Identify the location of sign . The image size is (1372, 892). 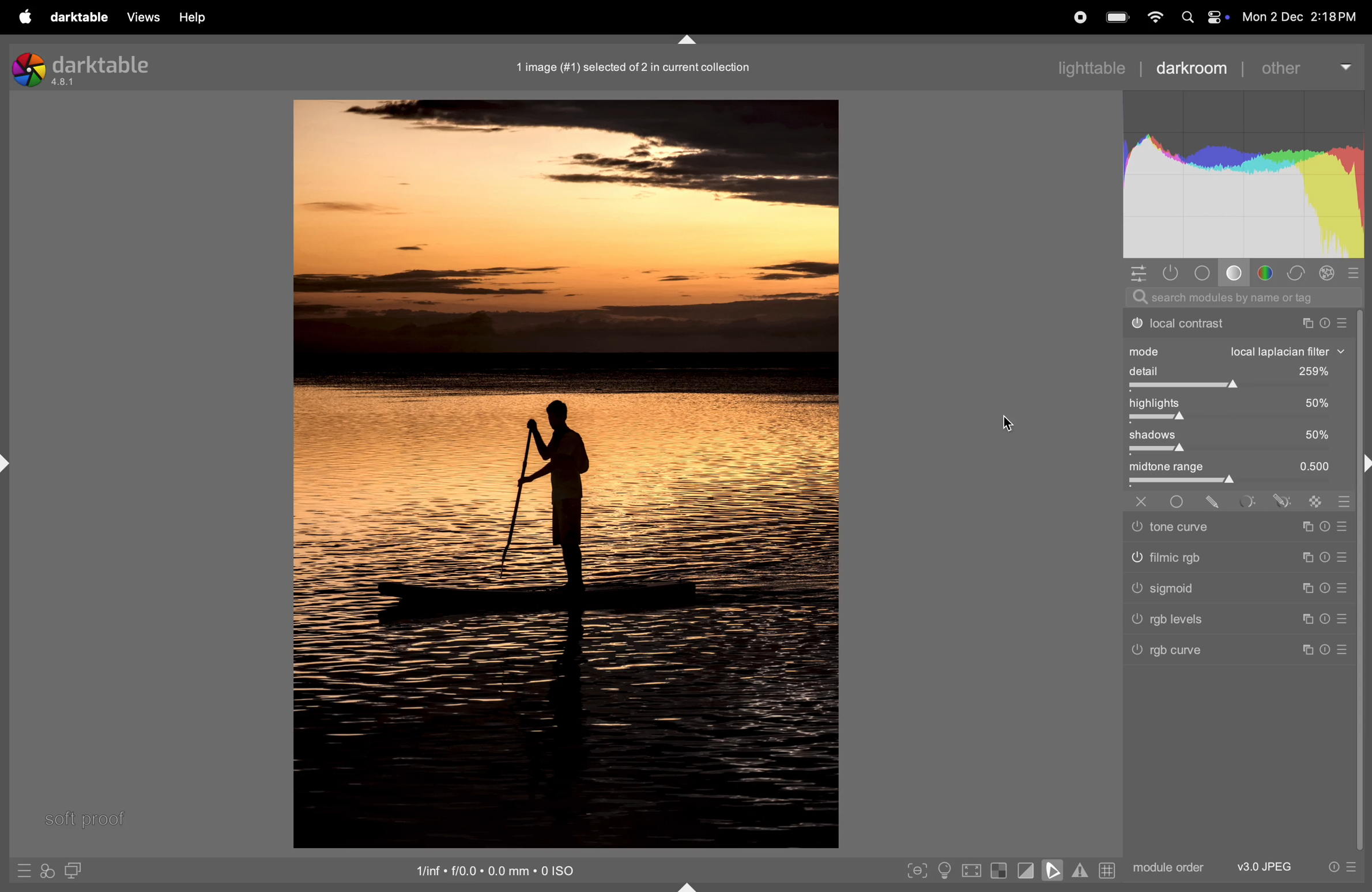
(1344, 587).